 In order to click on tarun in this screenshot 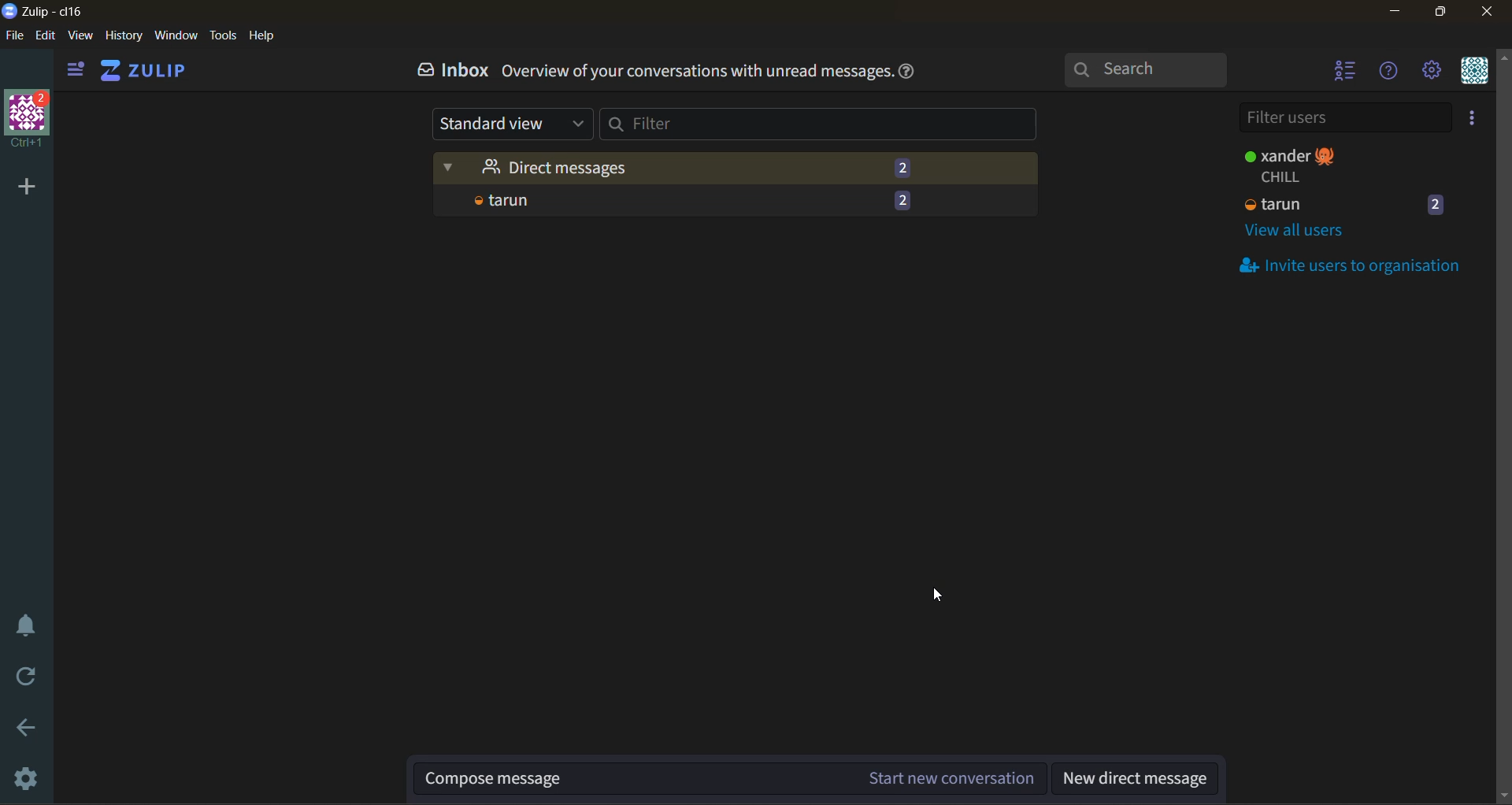, I will do `click(1345, 203)`.